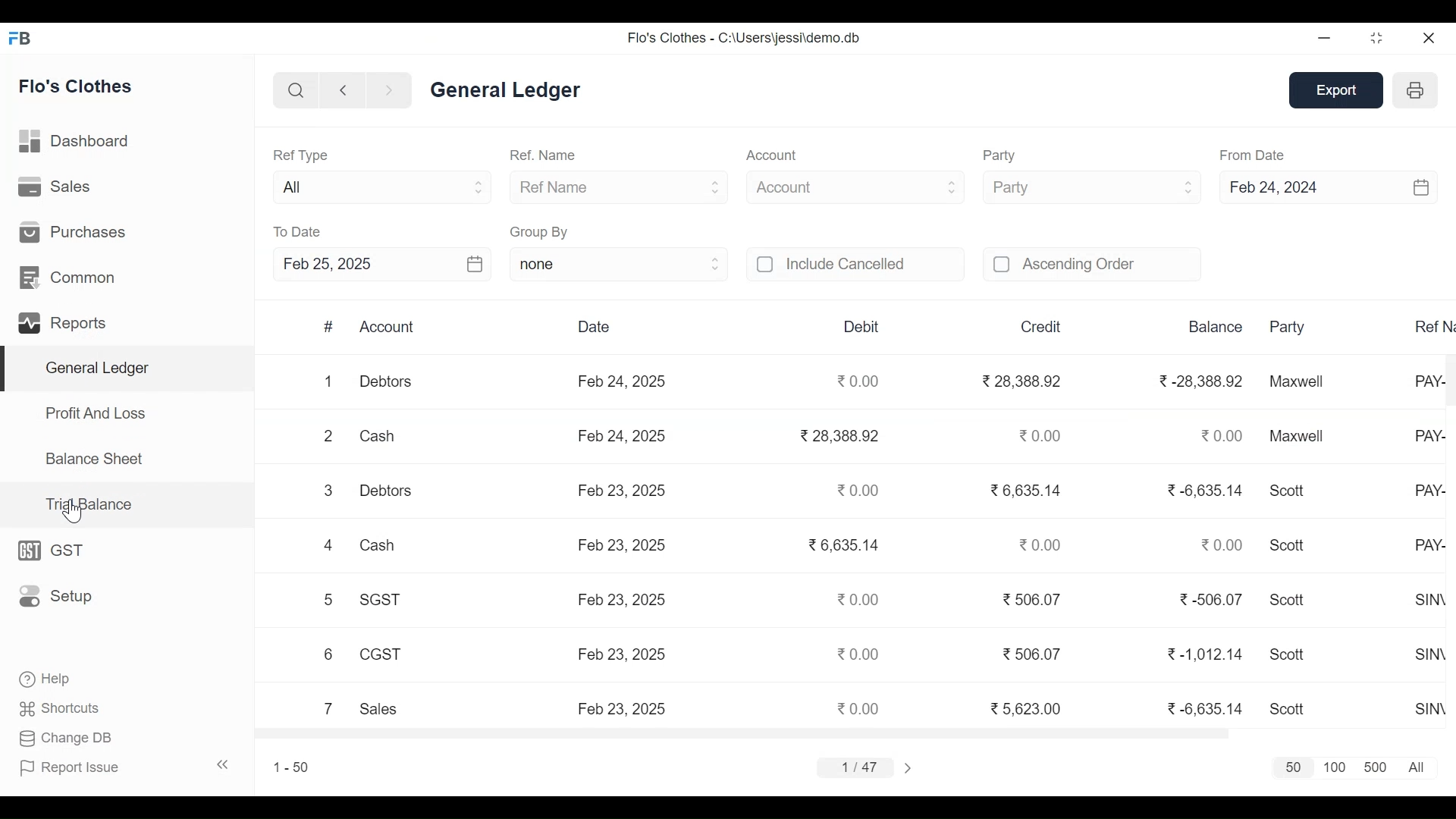  I want to click on Maxwell, so click(1298, 381).